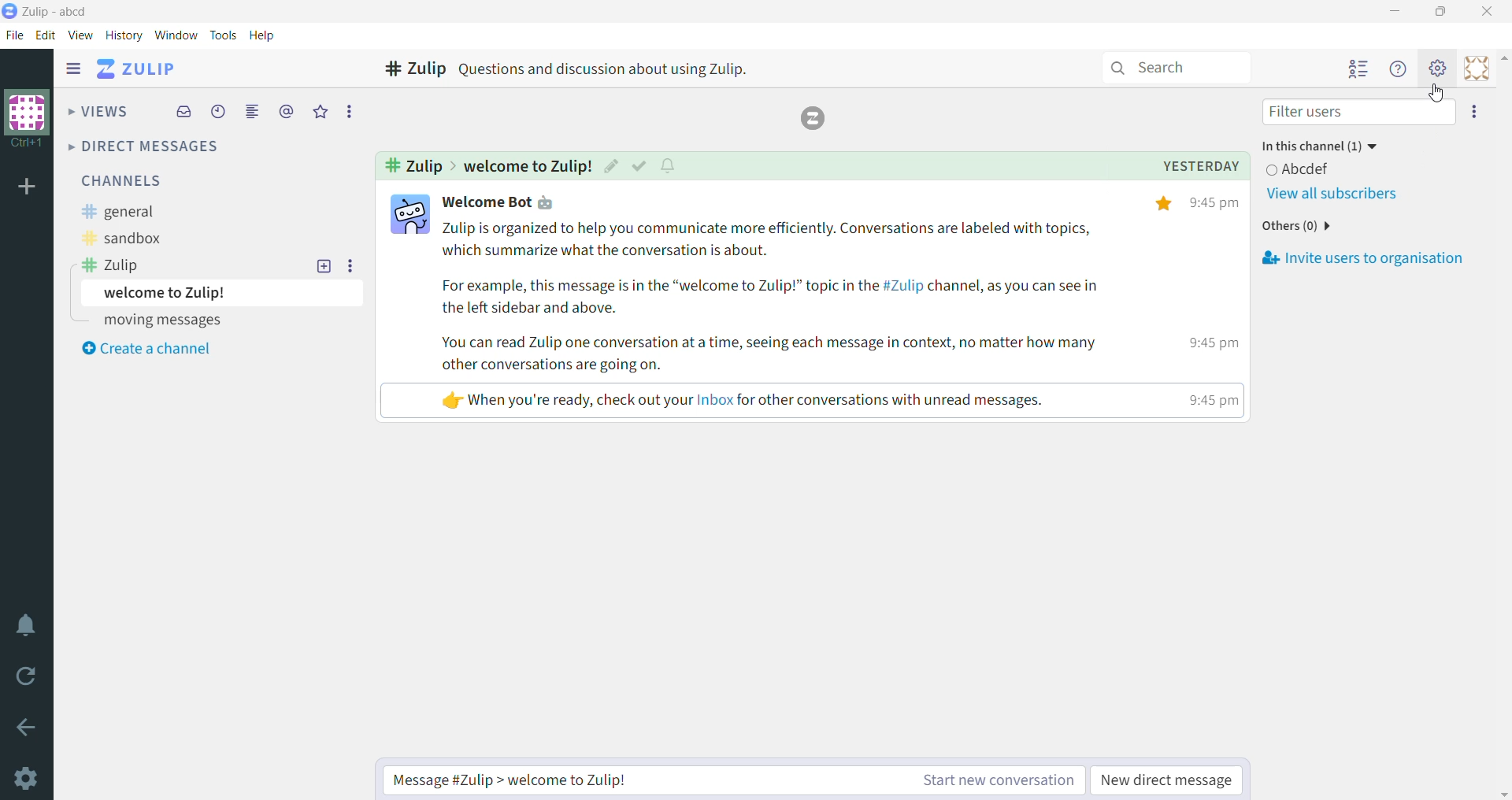  I want to click on More options, so click(352, 265).